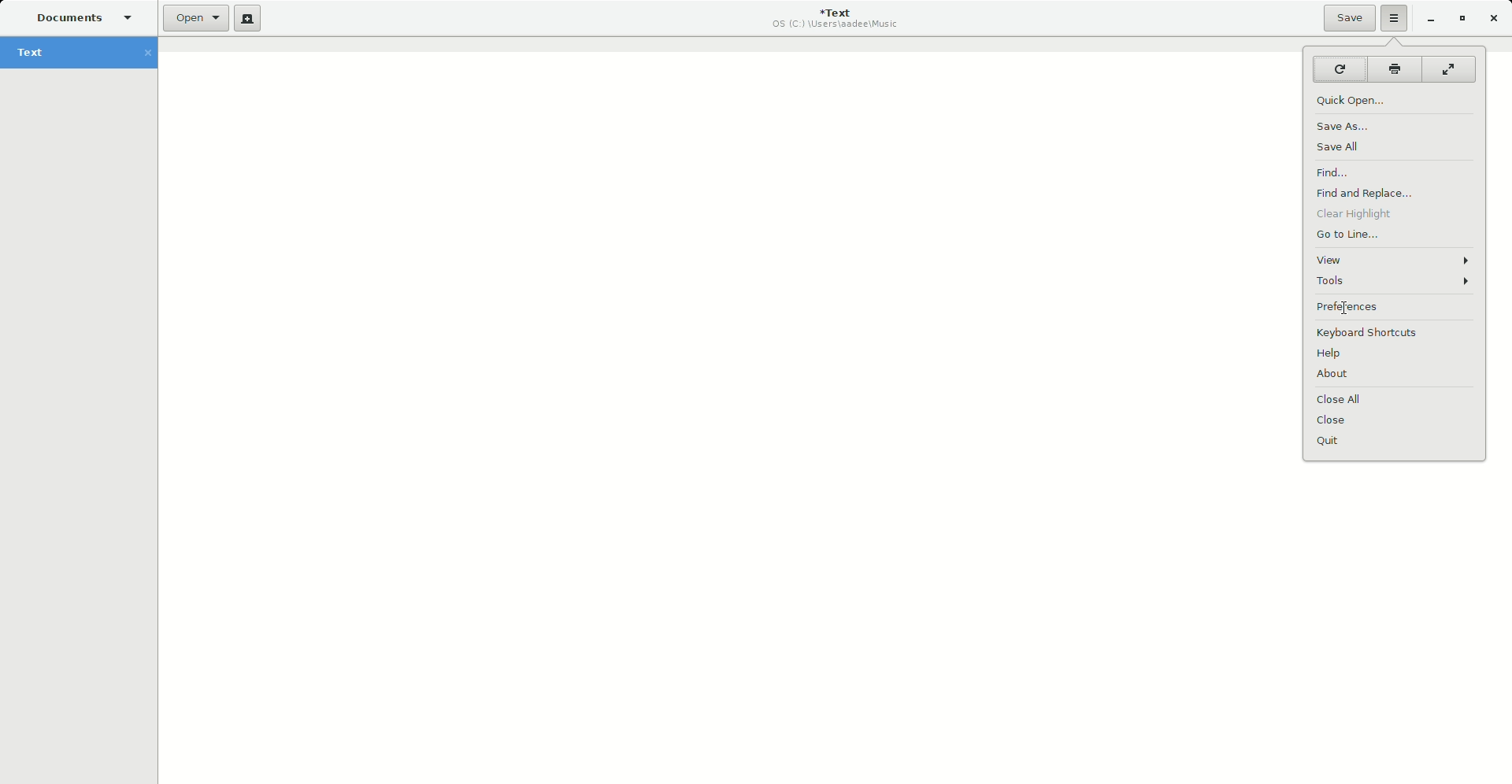 Image resolution: width=1512 pixels, height=784 pixels. Describe the element at coordinates (1343, 310) in the screenshot. I see `cursor` at that location.